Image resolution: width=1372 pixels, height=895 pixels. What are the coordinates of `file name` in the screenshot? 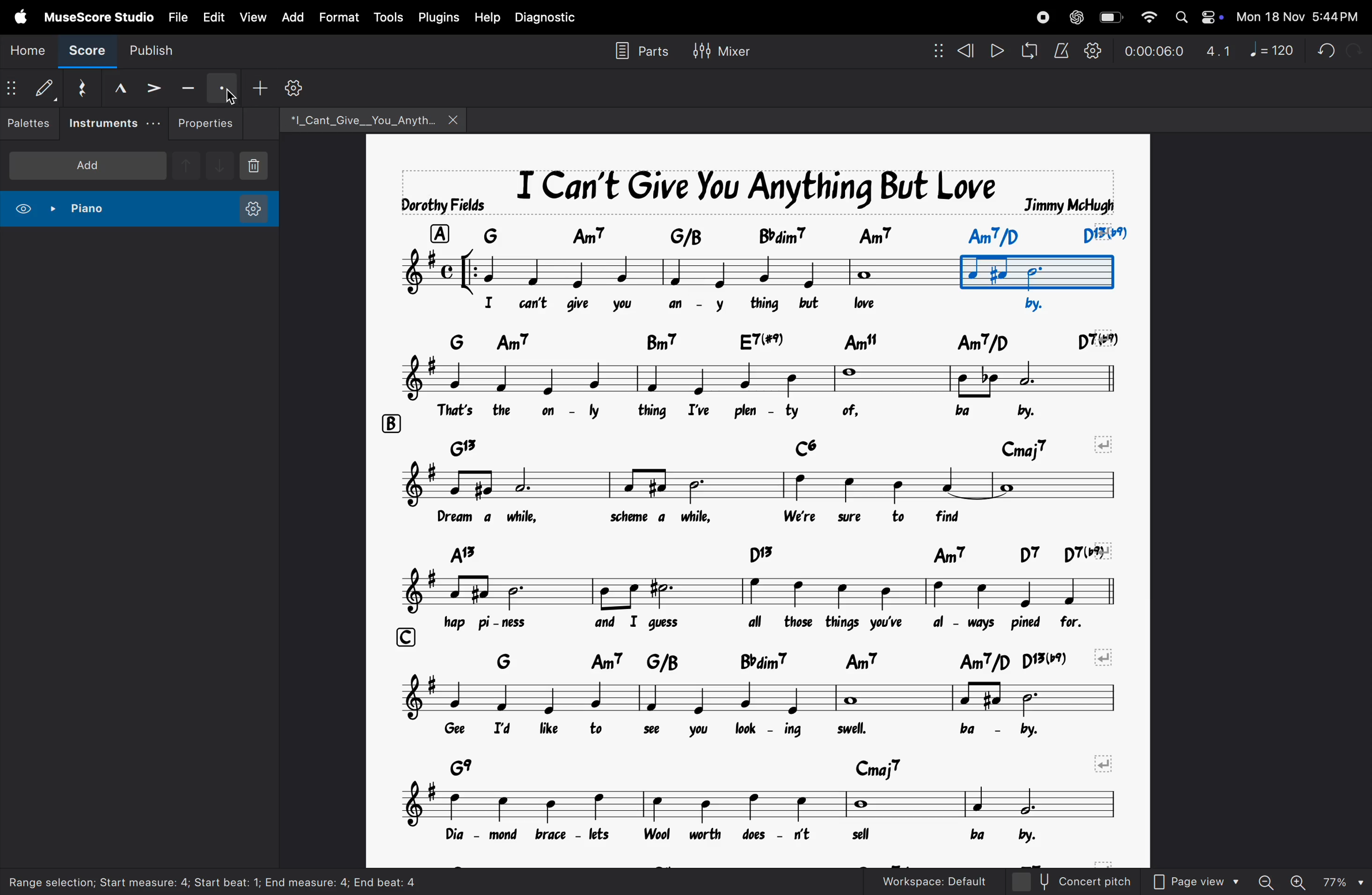 It's located at (372, 122).